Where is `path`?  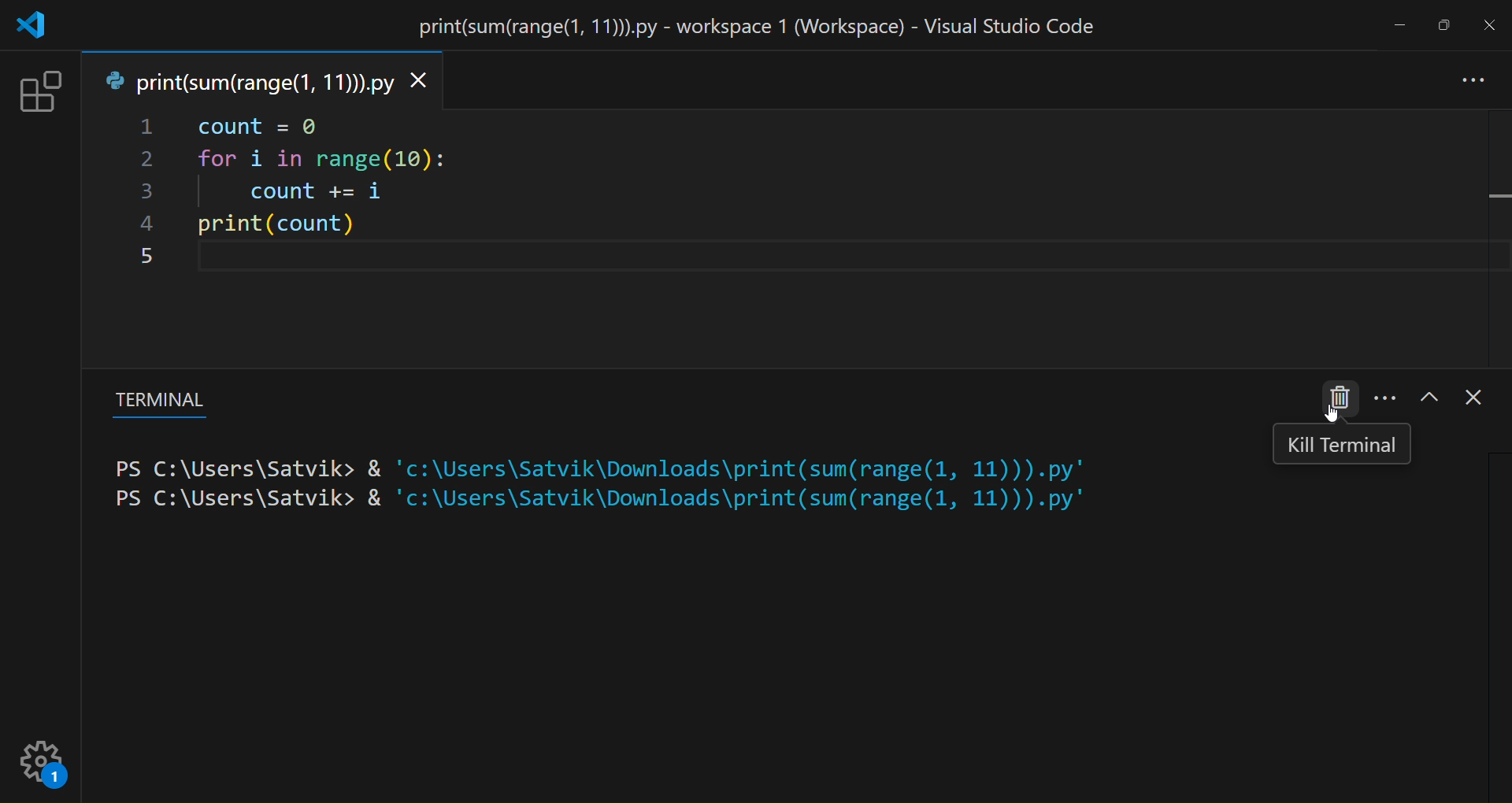 path is located at coordinates (610, 487).